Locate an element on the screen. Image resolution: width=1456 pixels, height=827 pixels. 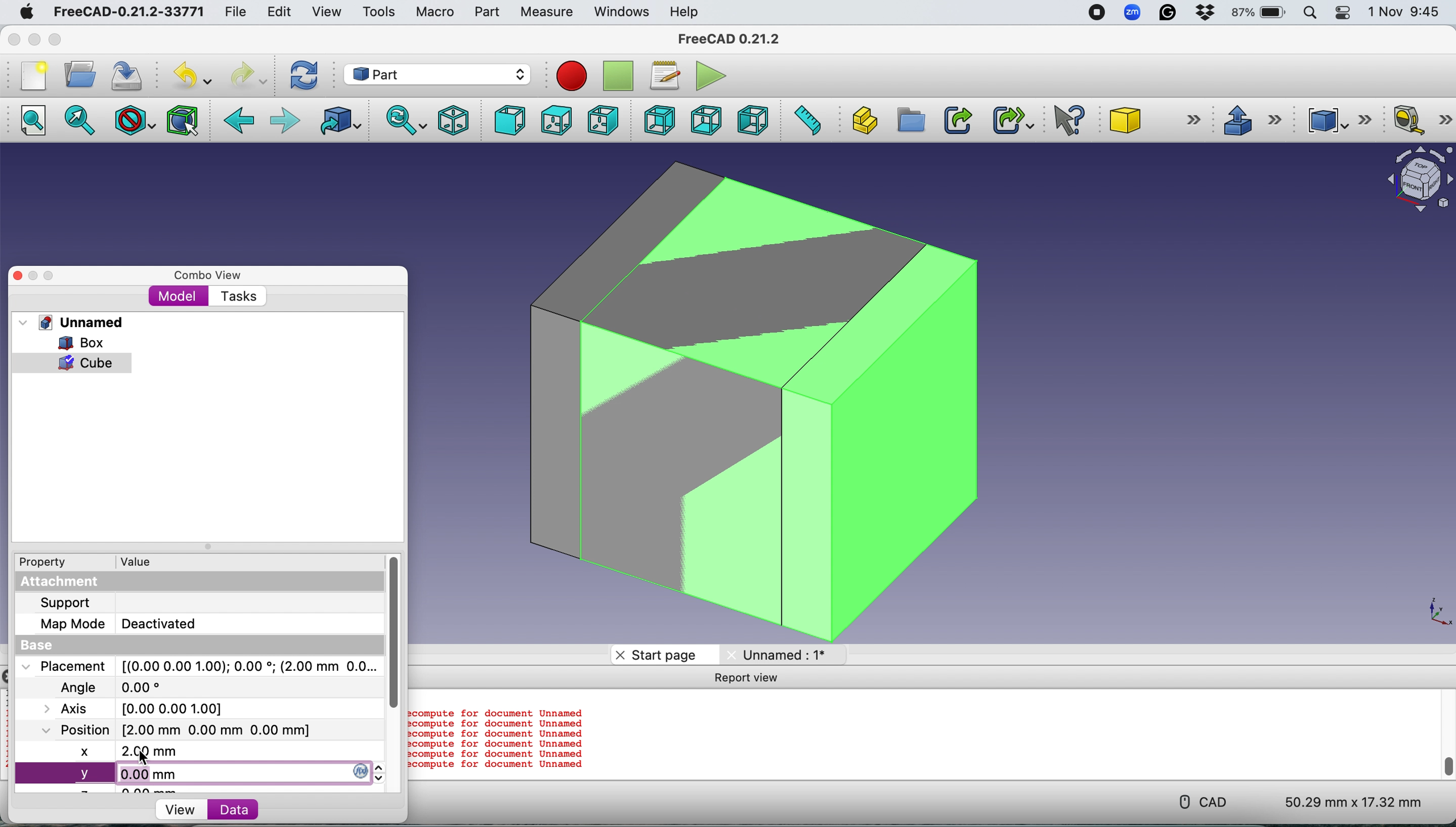
cursor is located at coordinates (144, 758).